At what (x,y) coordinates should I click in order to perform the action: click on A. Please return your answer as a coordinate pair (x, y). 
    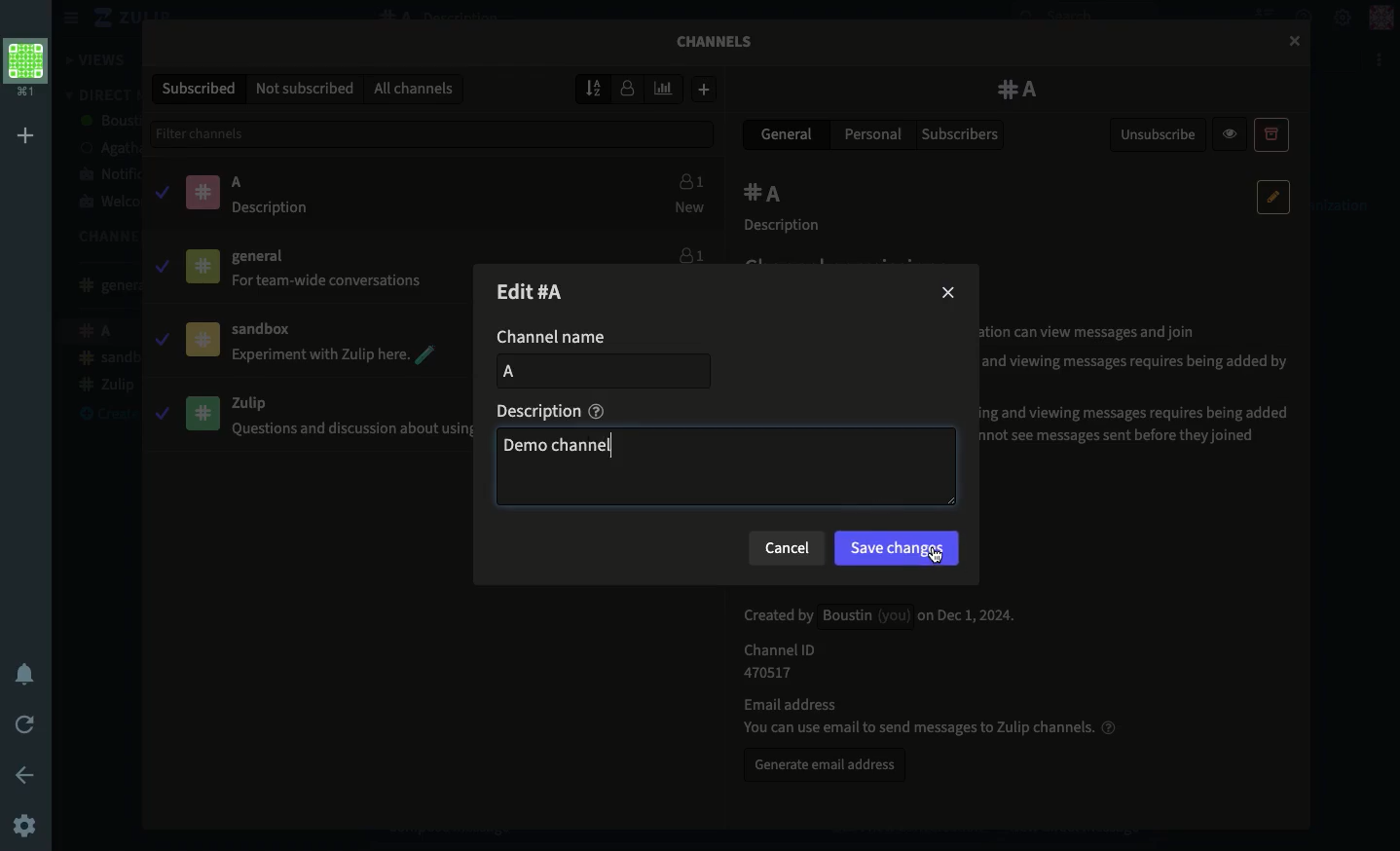
    Looking at the image, I should click on (1019, 90).